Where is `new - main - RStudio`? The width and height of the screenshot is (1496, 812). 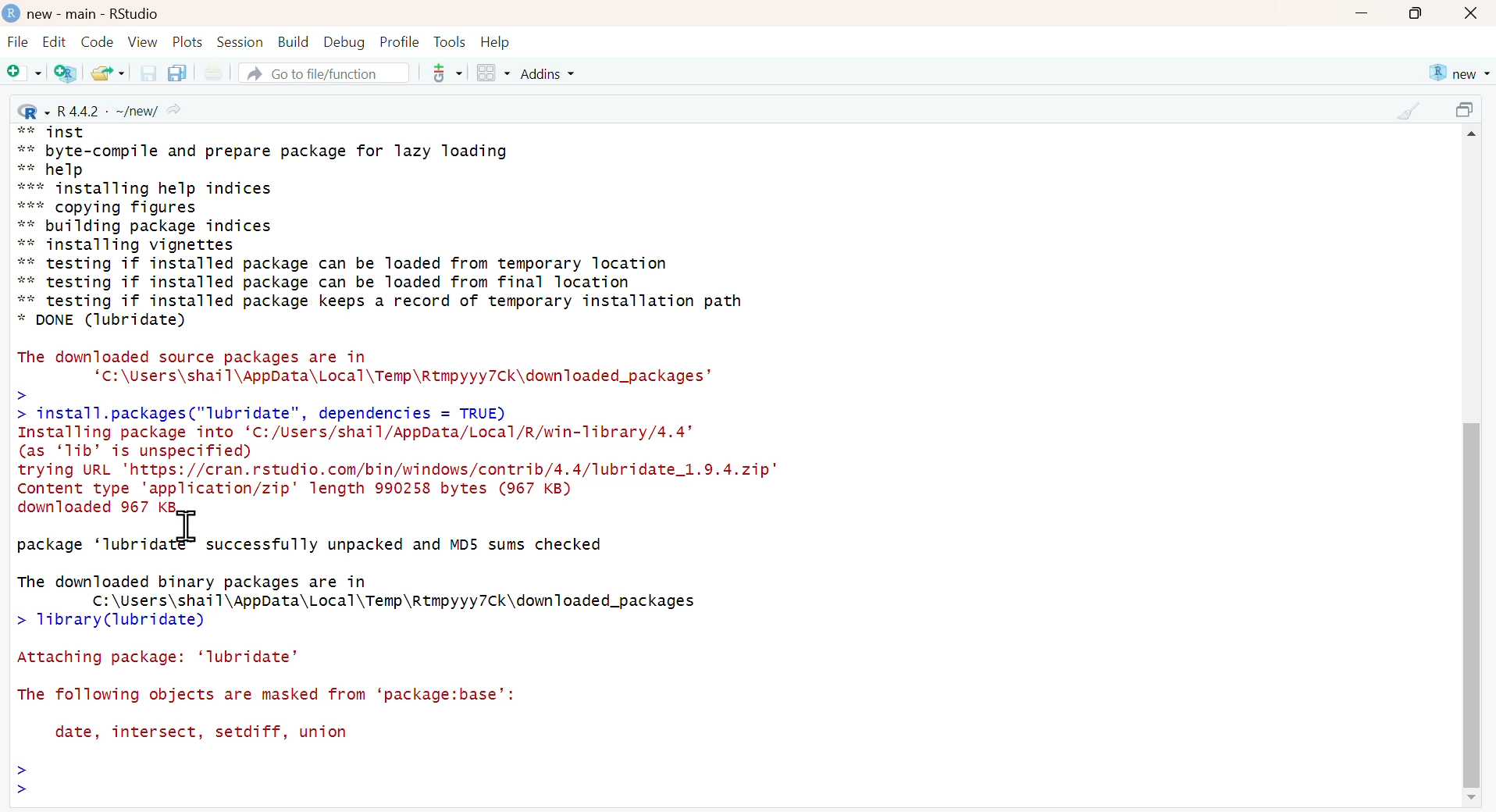 new - main - RStudio is located at coordinates (95, 14).